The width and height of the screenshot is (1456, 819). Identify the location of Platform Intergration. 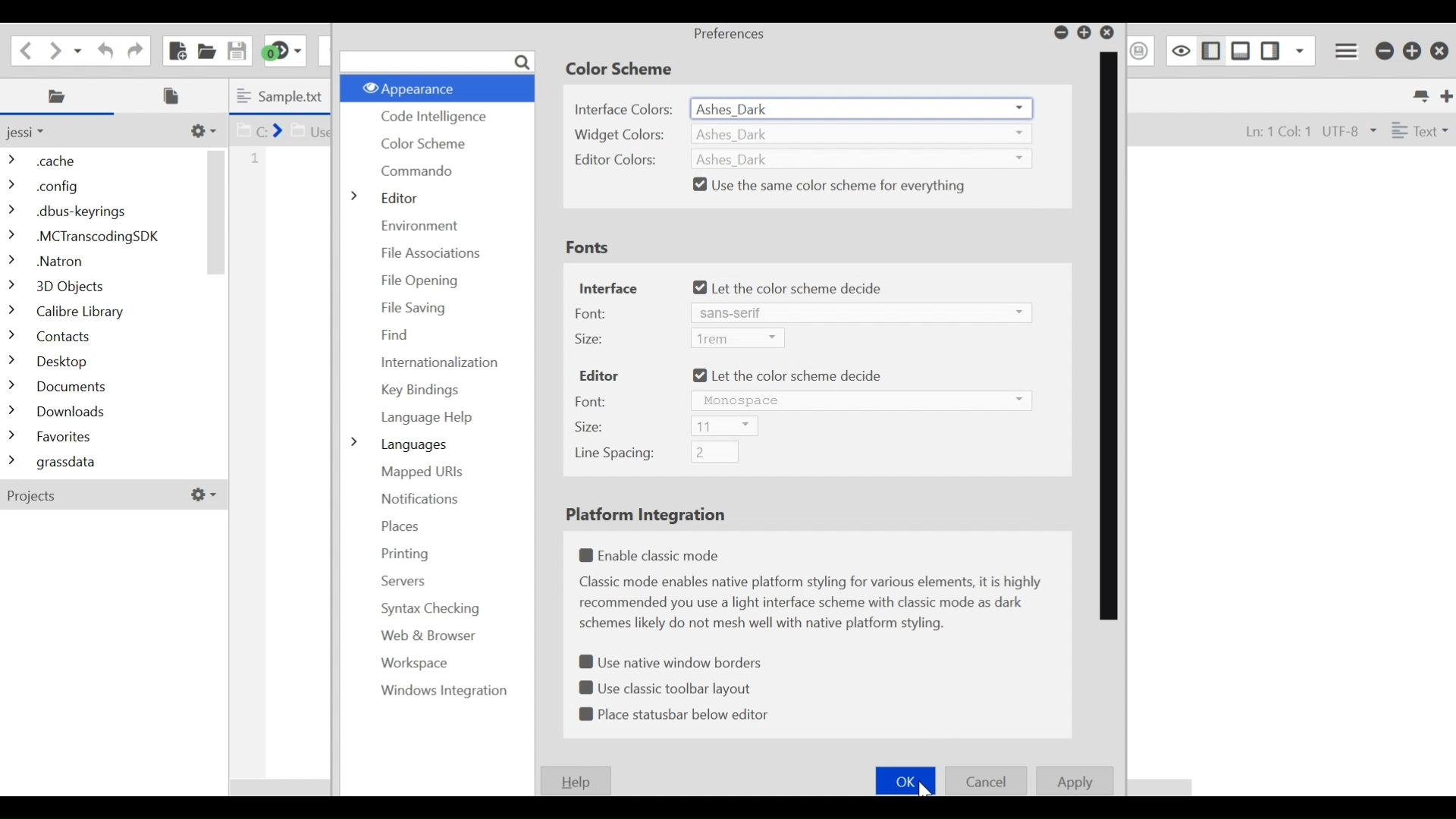
(651, 516).